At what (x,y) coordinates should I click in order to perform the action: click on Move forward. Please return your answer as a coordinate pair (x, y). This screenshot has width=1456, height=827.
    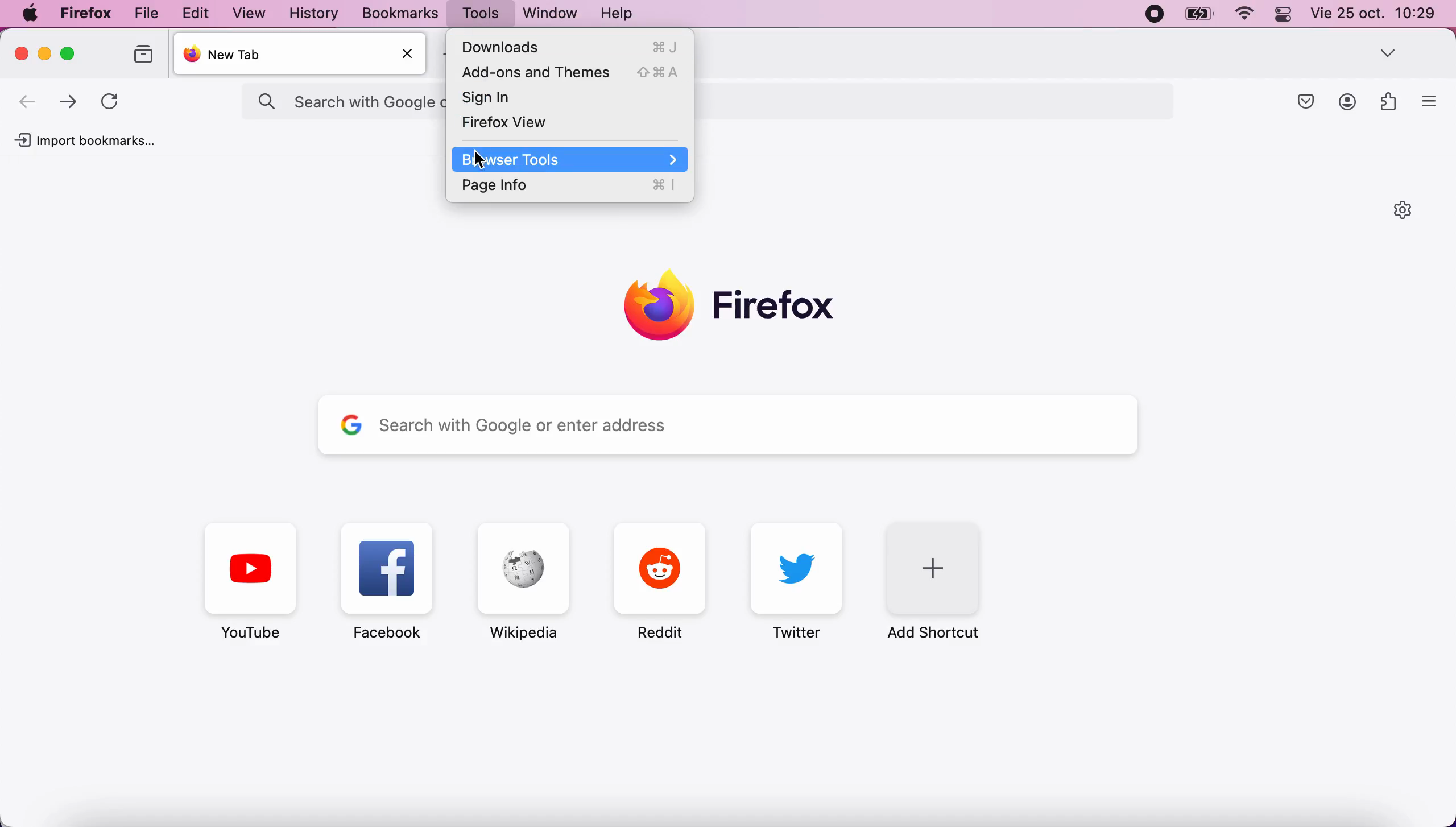
    Looking at the image, I should click on (68, 104).